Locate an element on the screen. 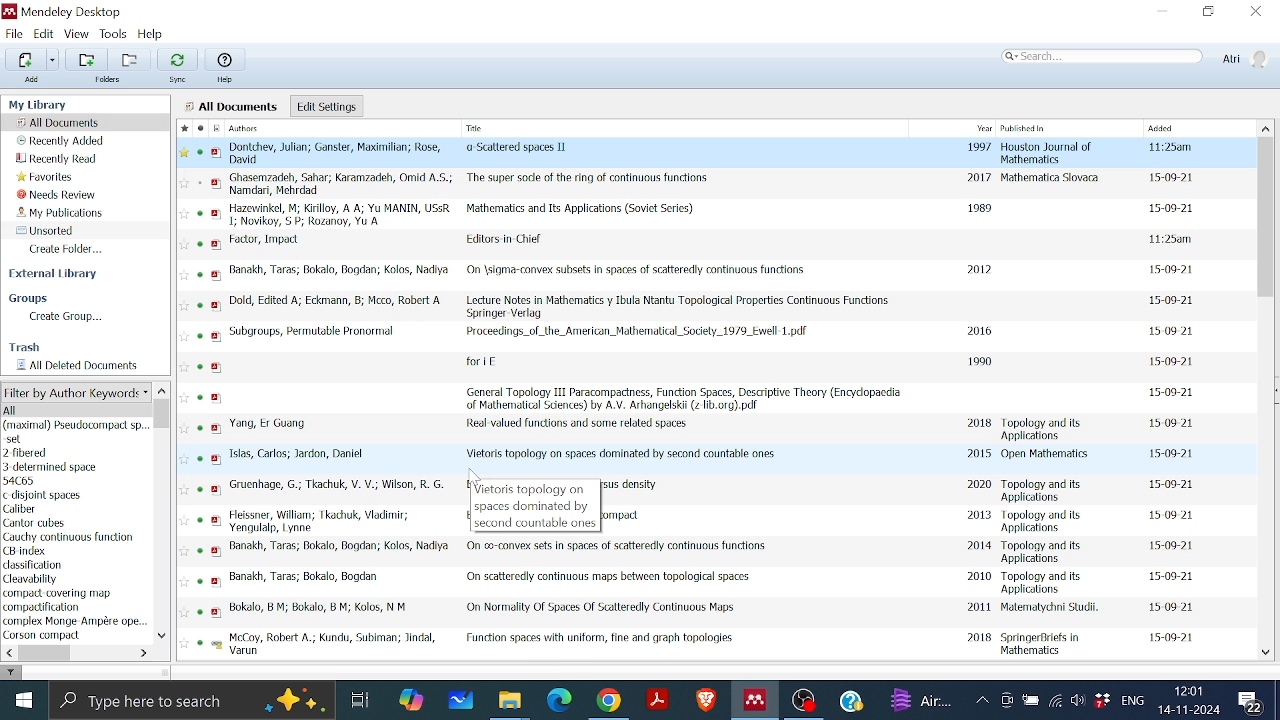  Search is located at coordinates (1102, 55).